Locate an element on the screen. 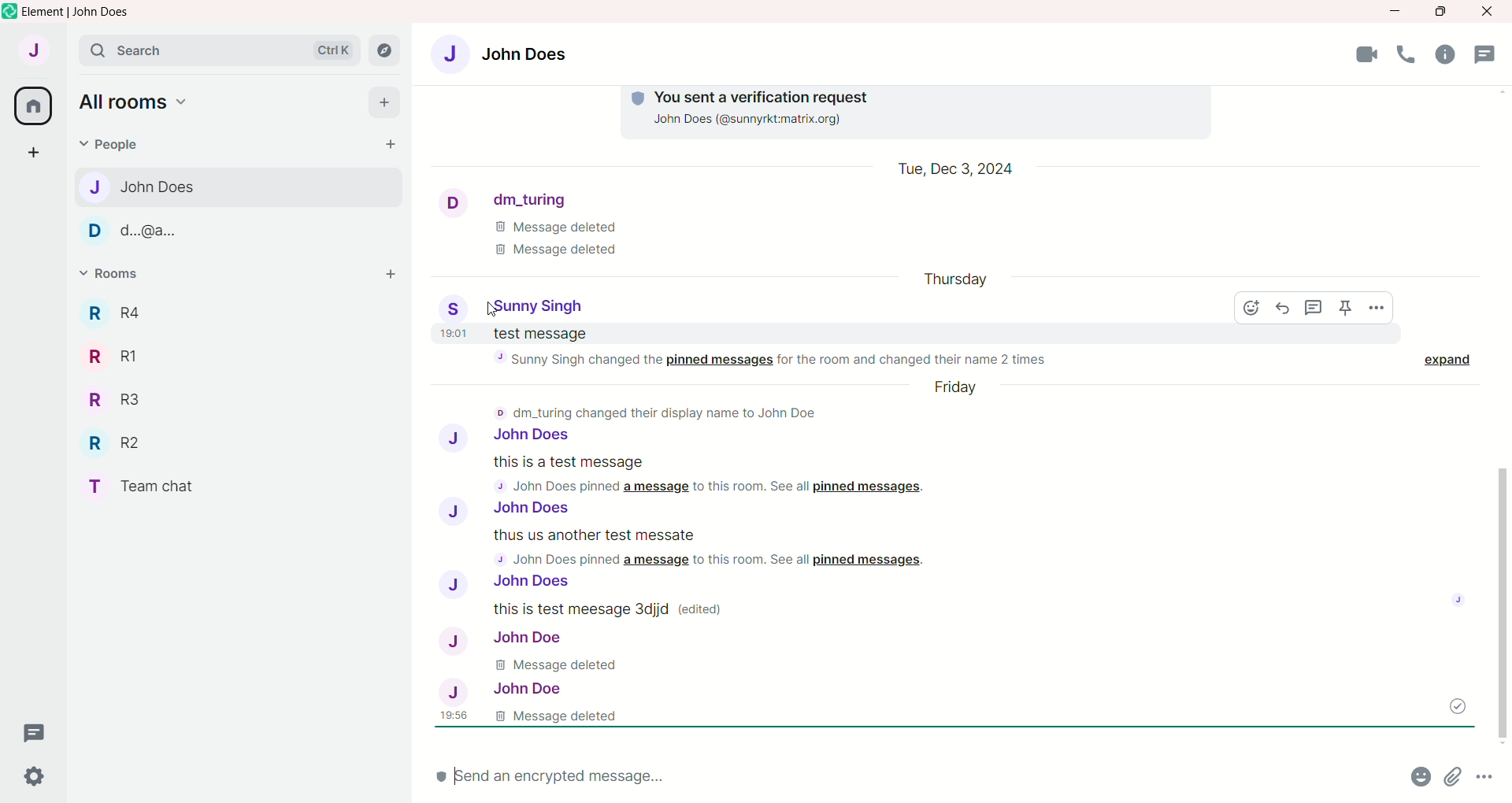 Image resolution: width=1512 pixels, height=803 pixels. rooms is located at coordinates (115, 276).